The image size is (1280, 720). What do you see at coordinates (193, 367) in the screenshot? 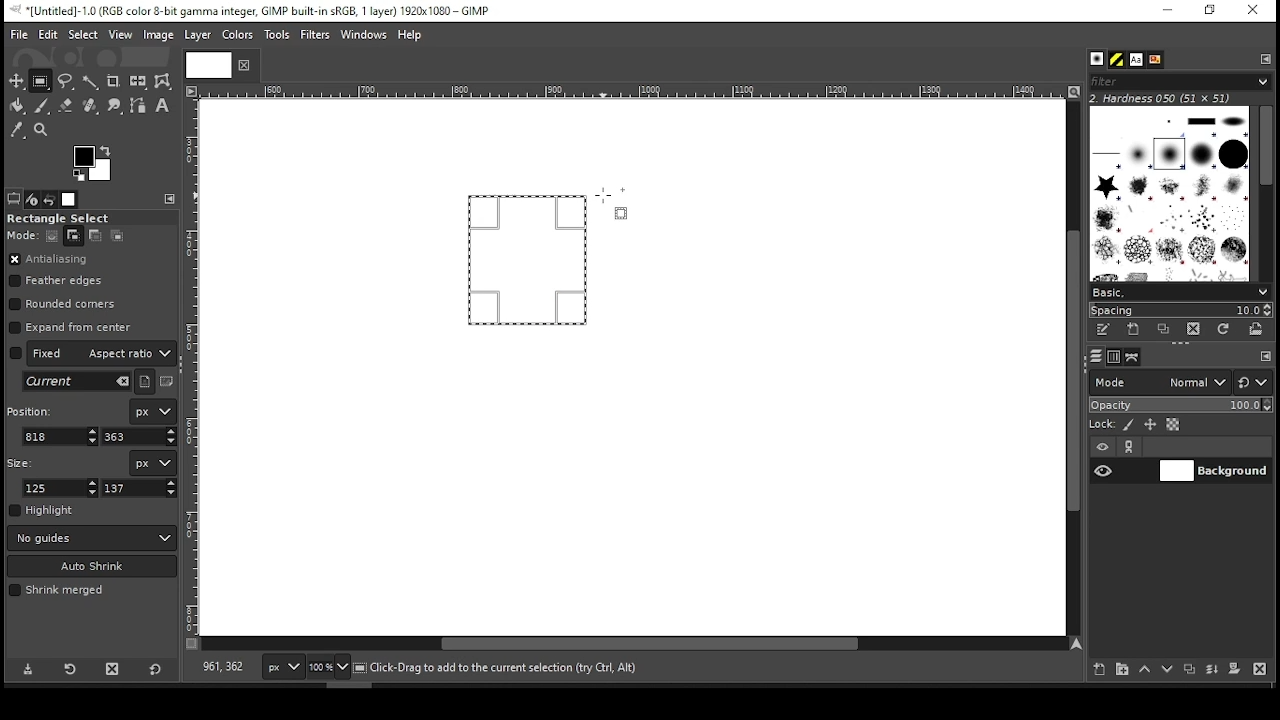
I see `` at bounding box center [193, 367].